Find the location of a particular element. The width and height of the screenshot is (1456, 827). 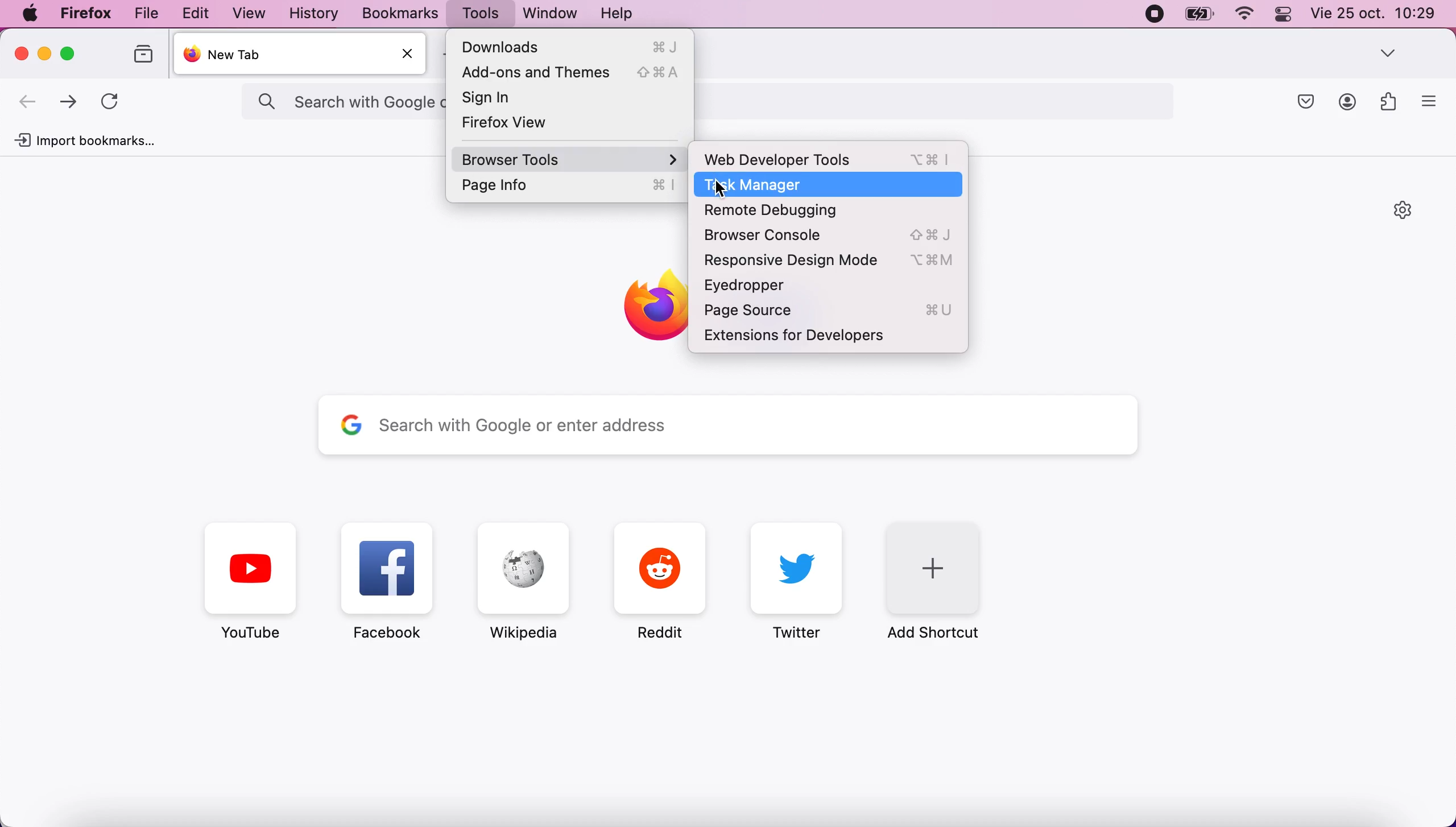

Remote Debugging is located at coordinates (832, 210).